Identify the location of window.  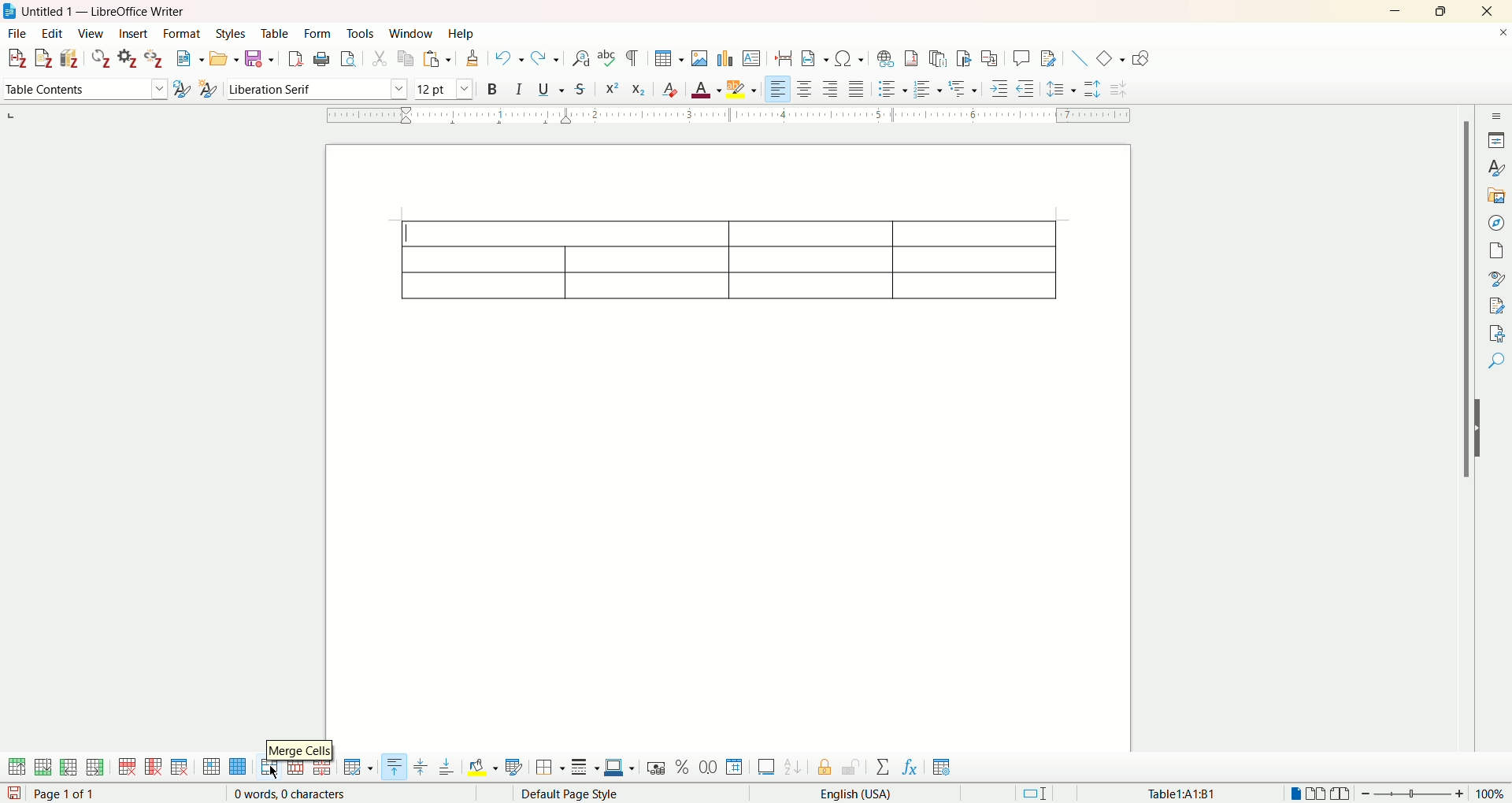
(411, 35).